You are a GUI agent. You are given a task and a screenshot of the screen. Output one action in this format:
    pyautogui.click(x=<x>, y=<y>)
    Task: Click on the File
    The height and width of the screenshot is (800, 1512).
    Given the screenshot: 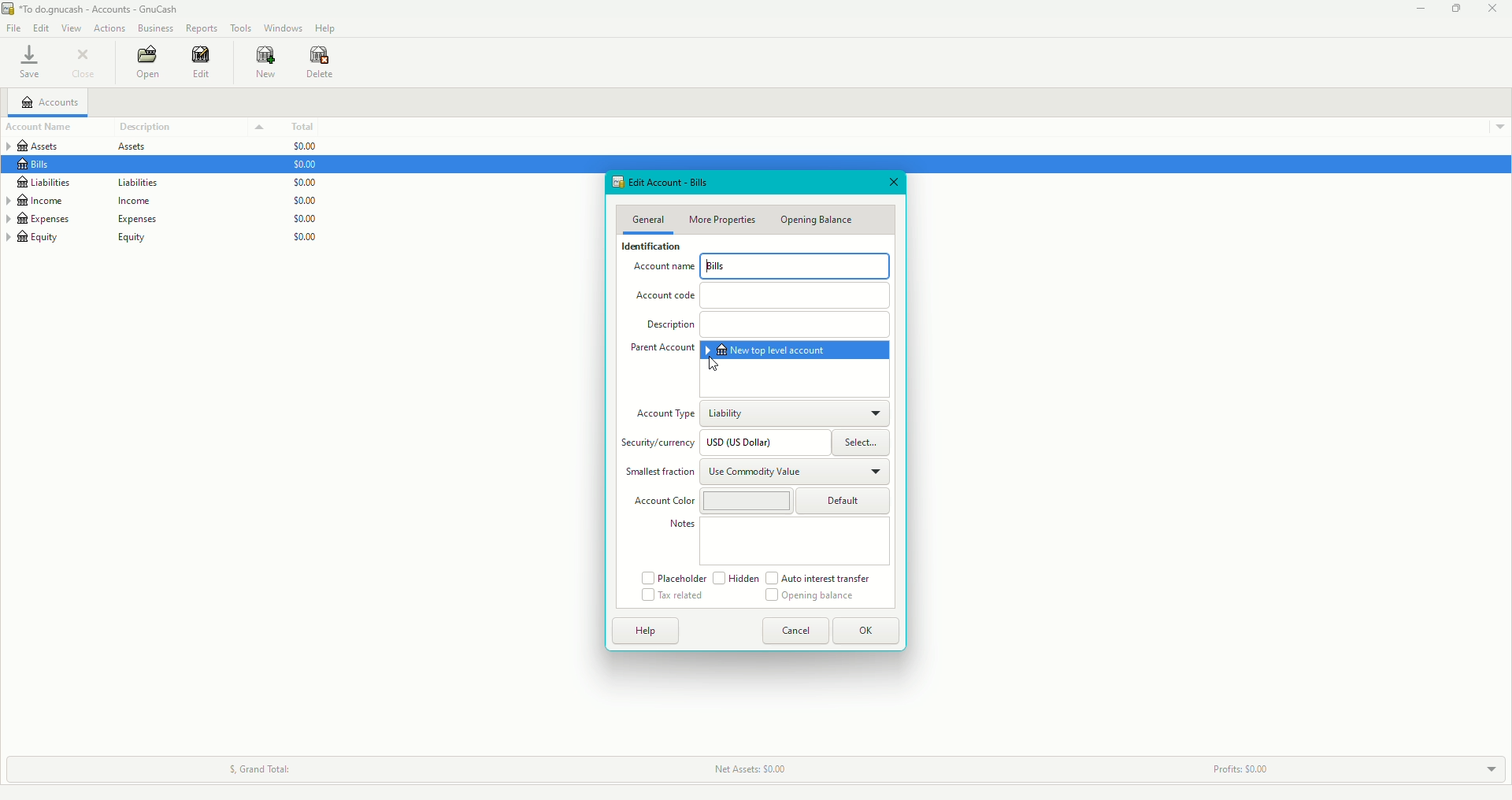 What is the action you would take?
    pyautogui.click(x=16, y=29)
    